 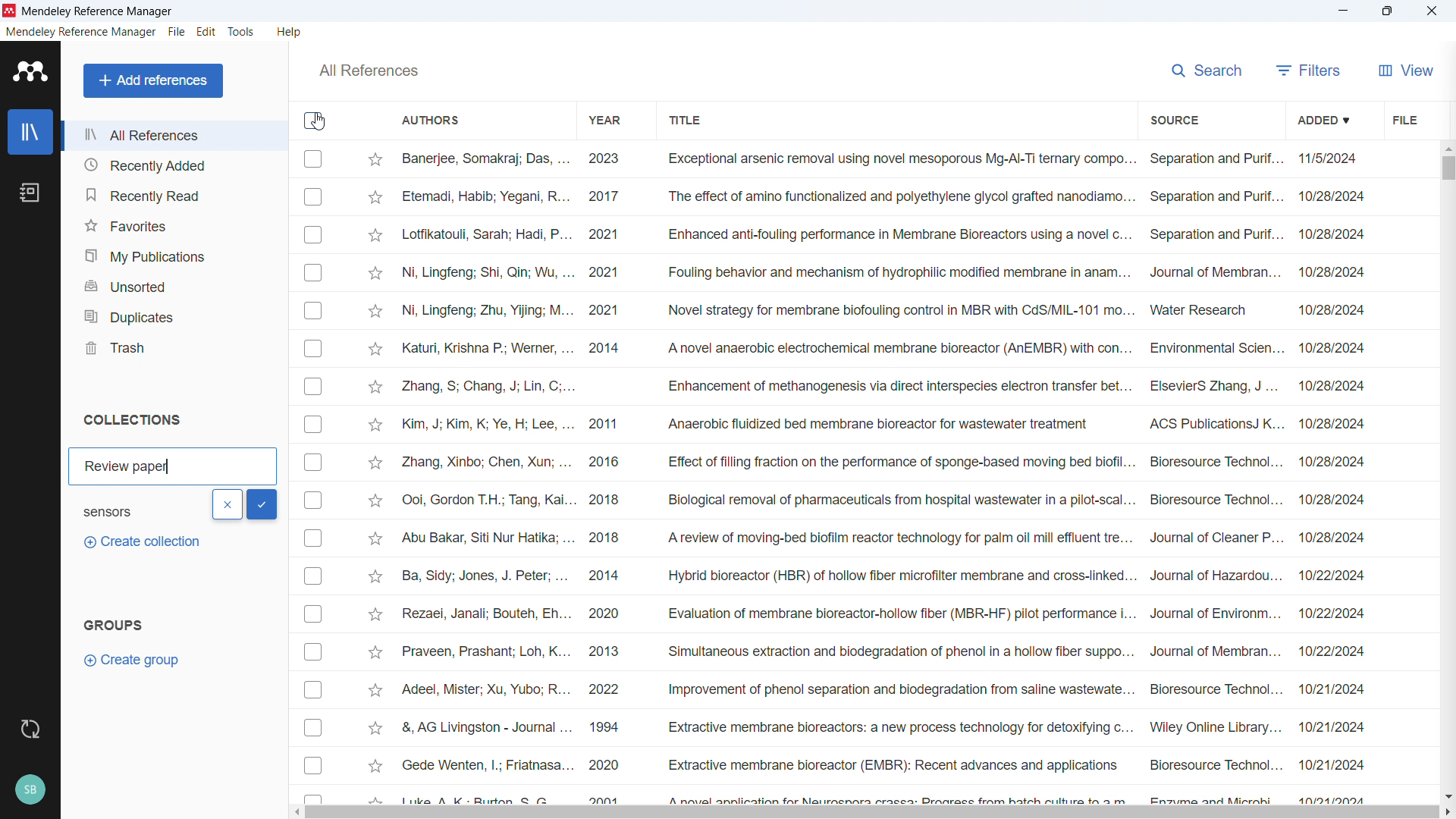 What do you see at coordinates (313, 690) in the screenshot?
I see `Select respective publication` at bounding box center [313, 690].